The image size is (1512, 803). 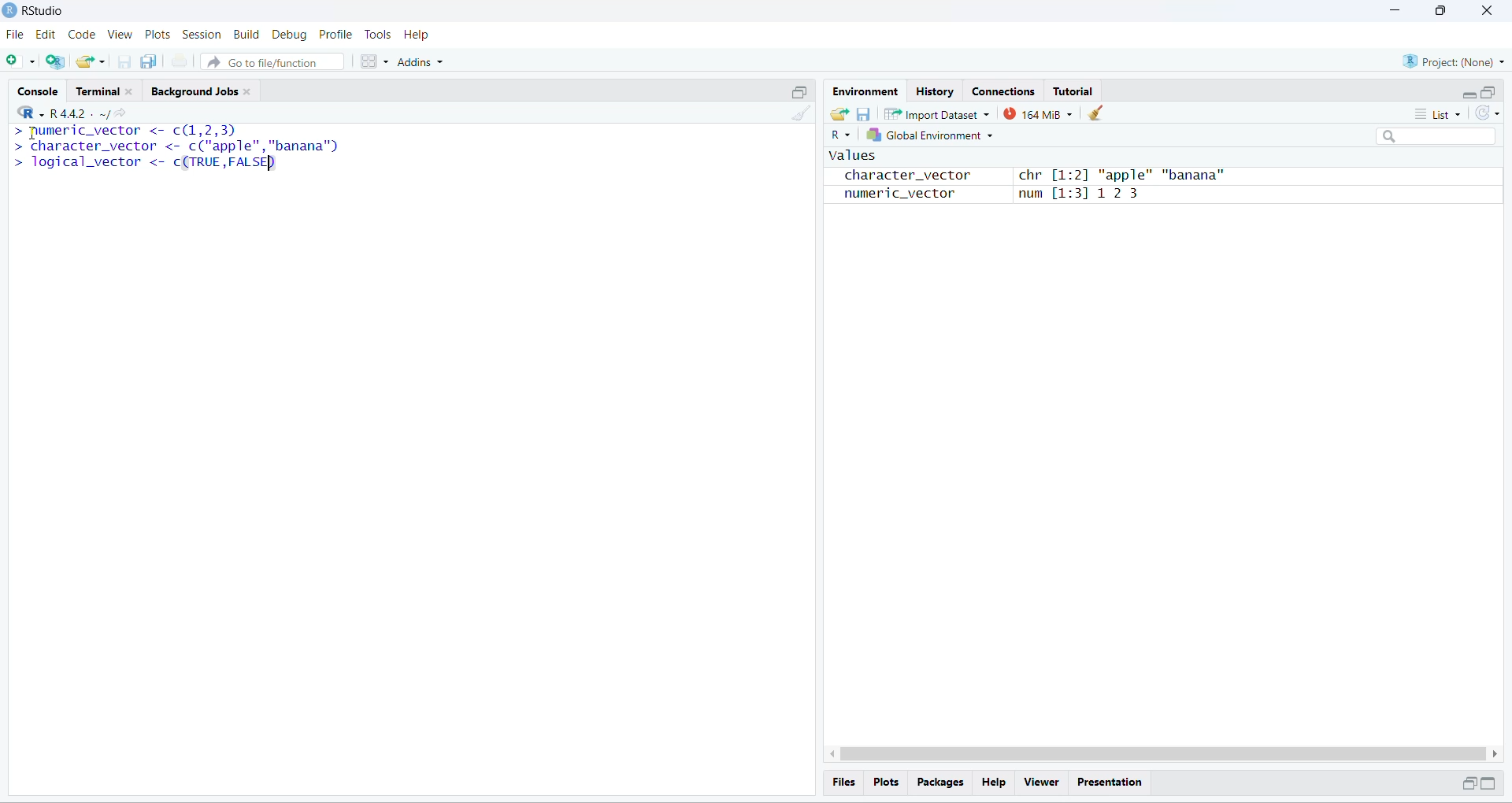 What do you see at coordinates (335, 35) in the screenshot?
I see `Profile` at bounding box center [335, 35].